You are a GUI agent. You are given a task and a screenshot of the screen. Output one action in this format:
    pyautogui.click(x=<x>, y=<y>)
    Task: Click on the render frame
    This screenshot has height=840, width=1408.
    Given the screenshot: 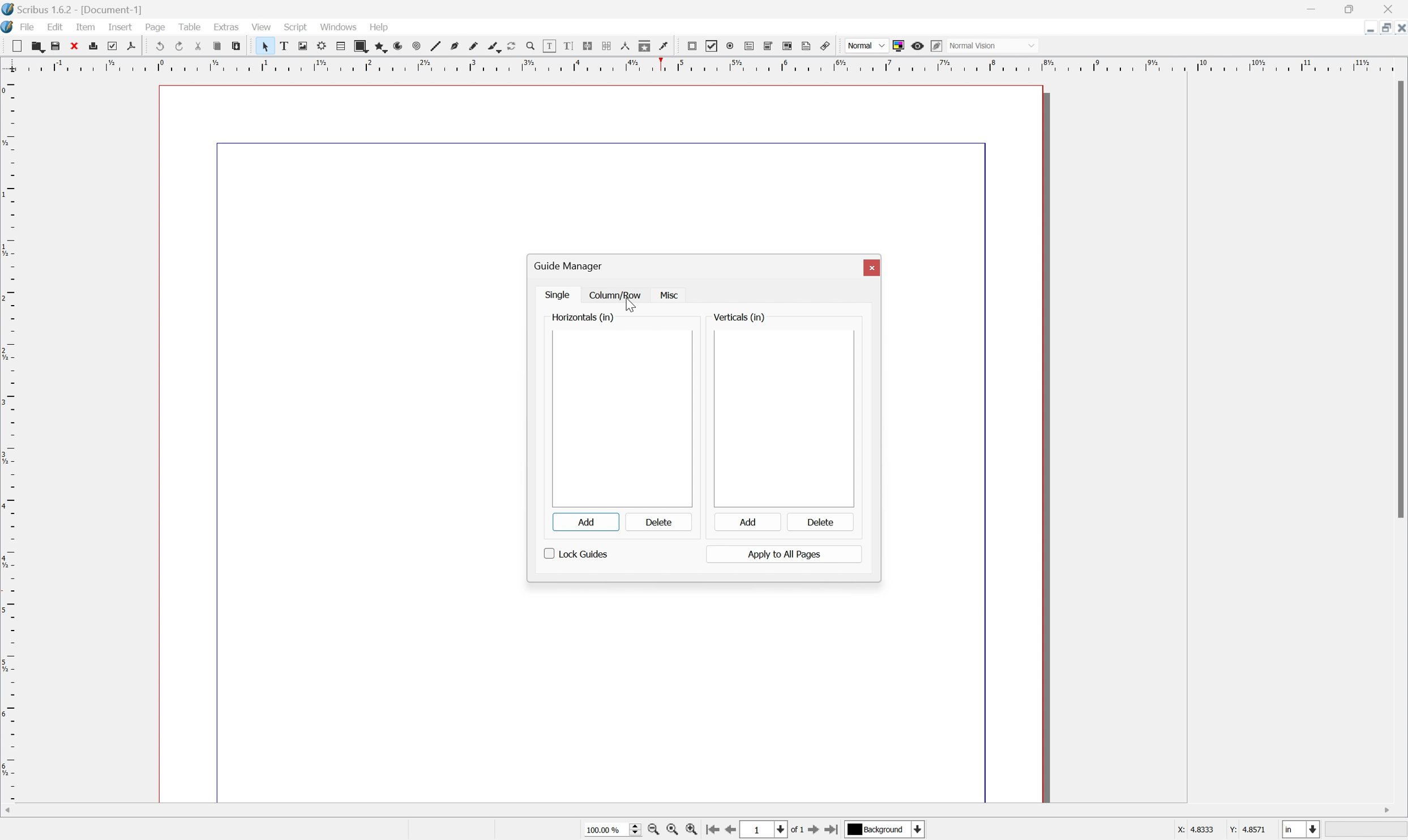 What is the action you would take?
    pyautogui.click(x=322, y=47)
    